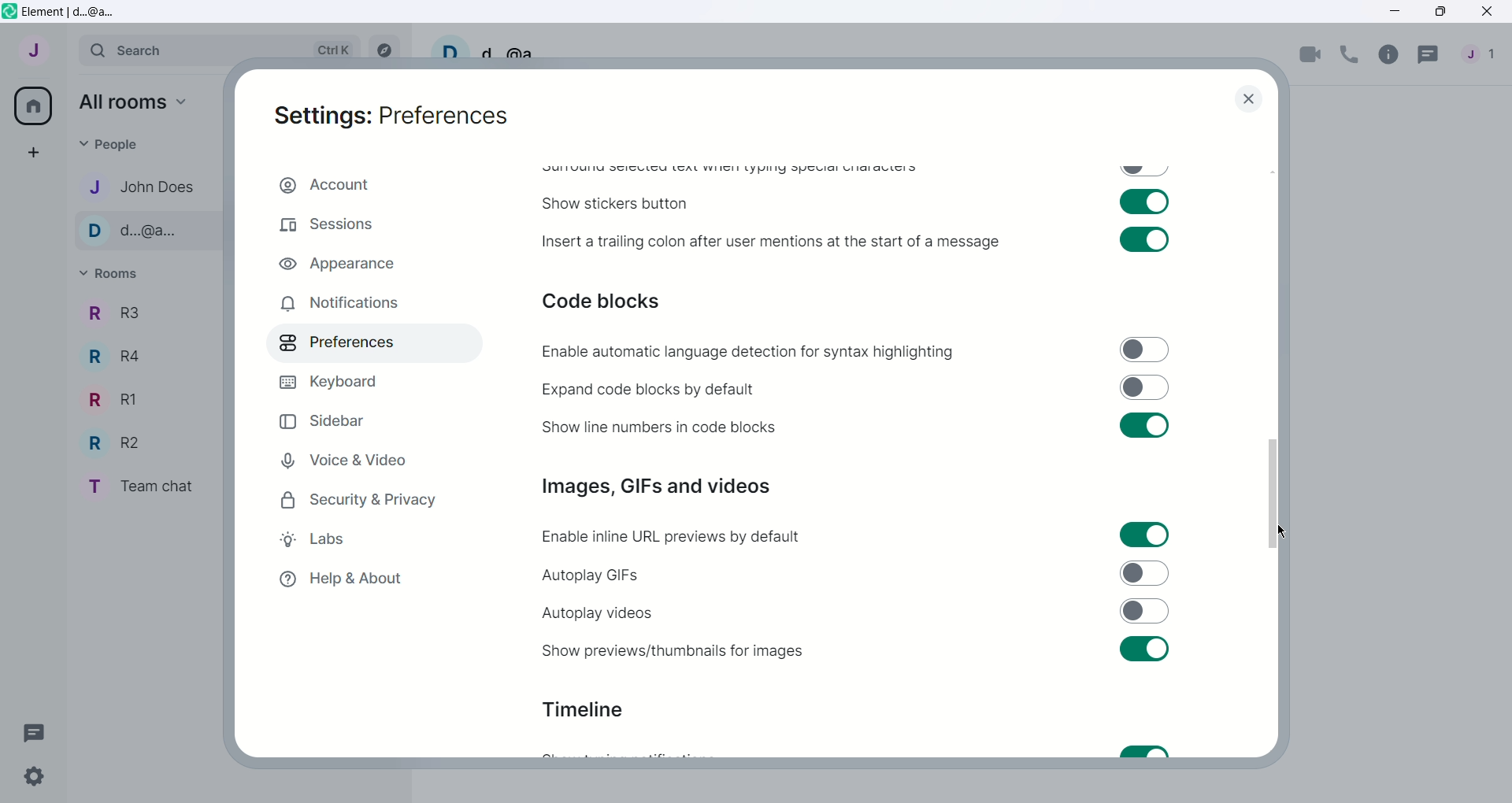  I want to click on Explore rooms, so click(384, 47).